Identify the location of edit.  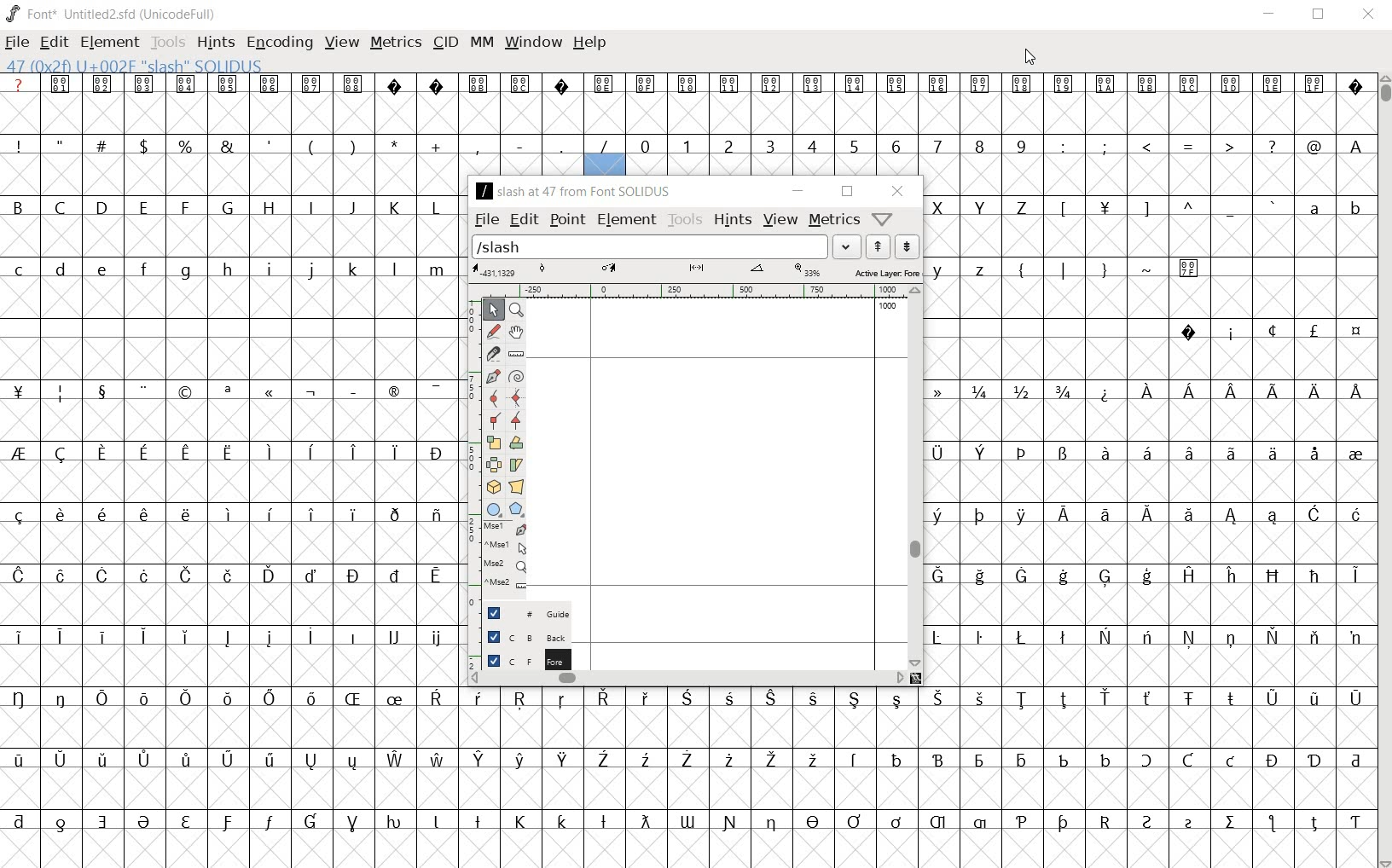
(524, 219).